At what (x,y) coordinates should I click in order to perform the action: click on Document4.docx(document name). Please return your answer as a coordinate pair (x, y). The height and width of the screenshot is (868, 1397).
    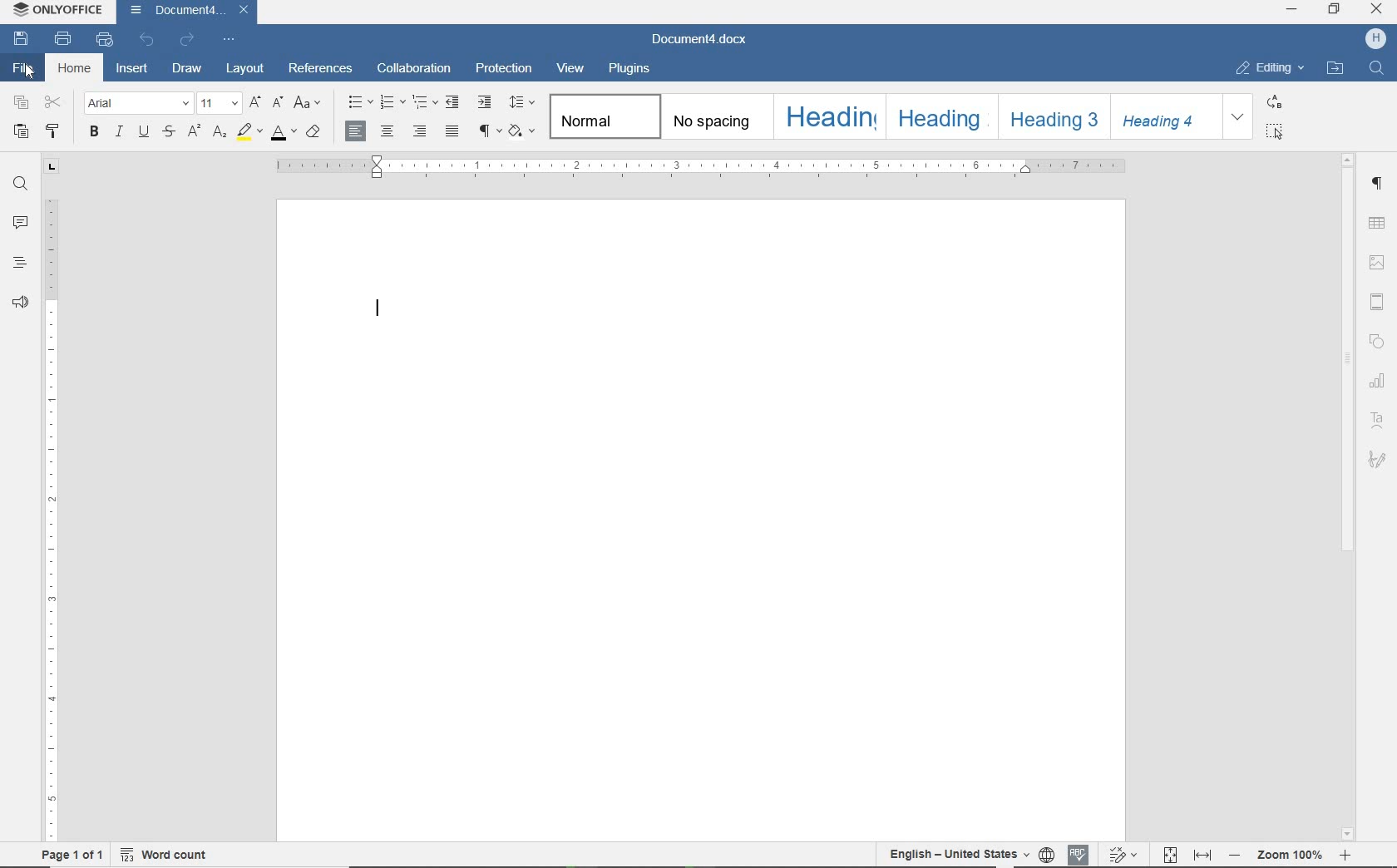
    Looking at the image, I should click on (703, 40).